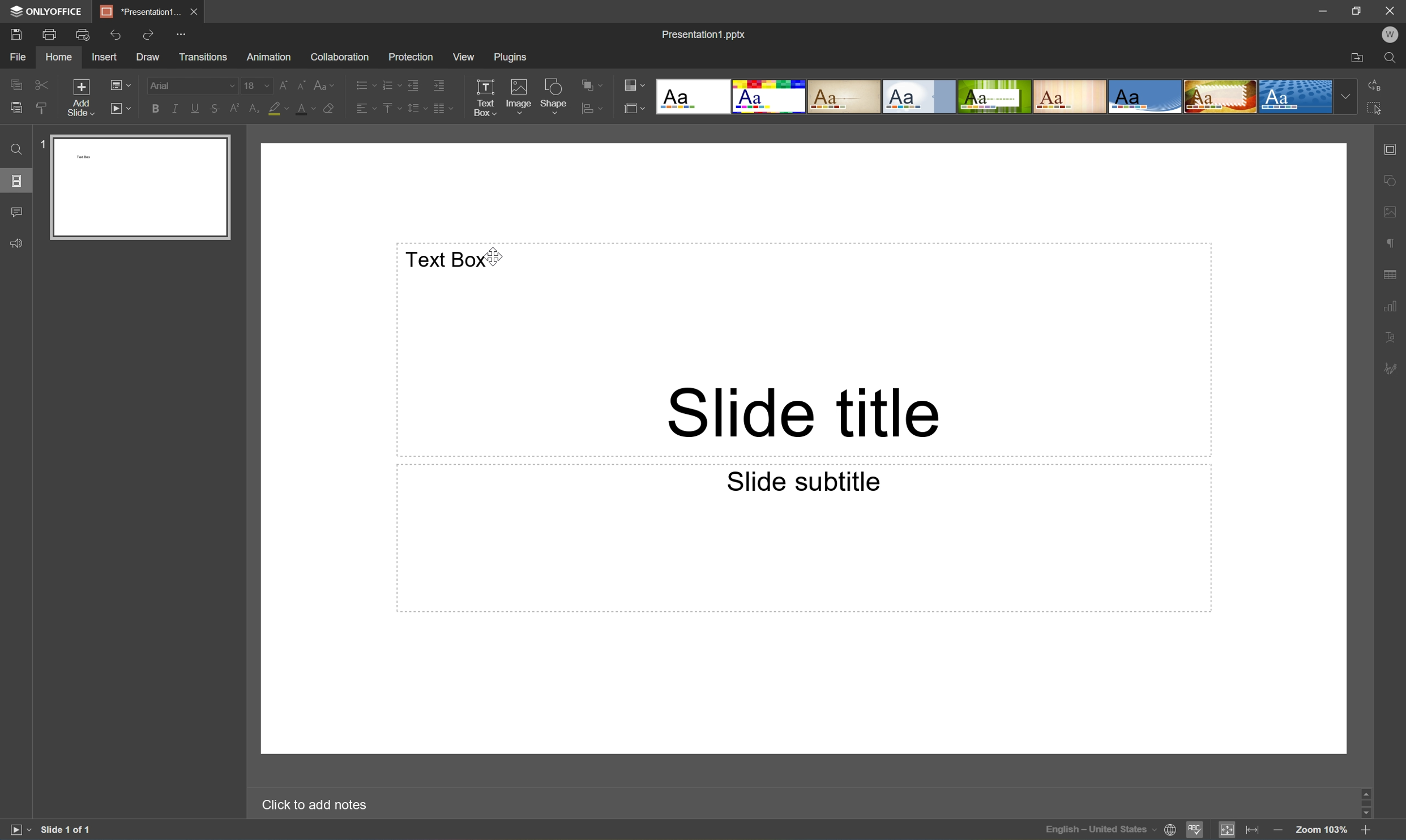 This screenshot has height=840, width=1406. What do you see at coordinates (804, 410) in the screenshot?
I see `Slide title` at bounding box center [804, 410].